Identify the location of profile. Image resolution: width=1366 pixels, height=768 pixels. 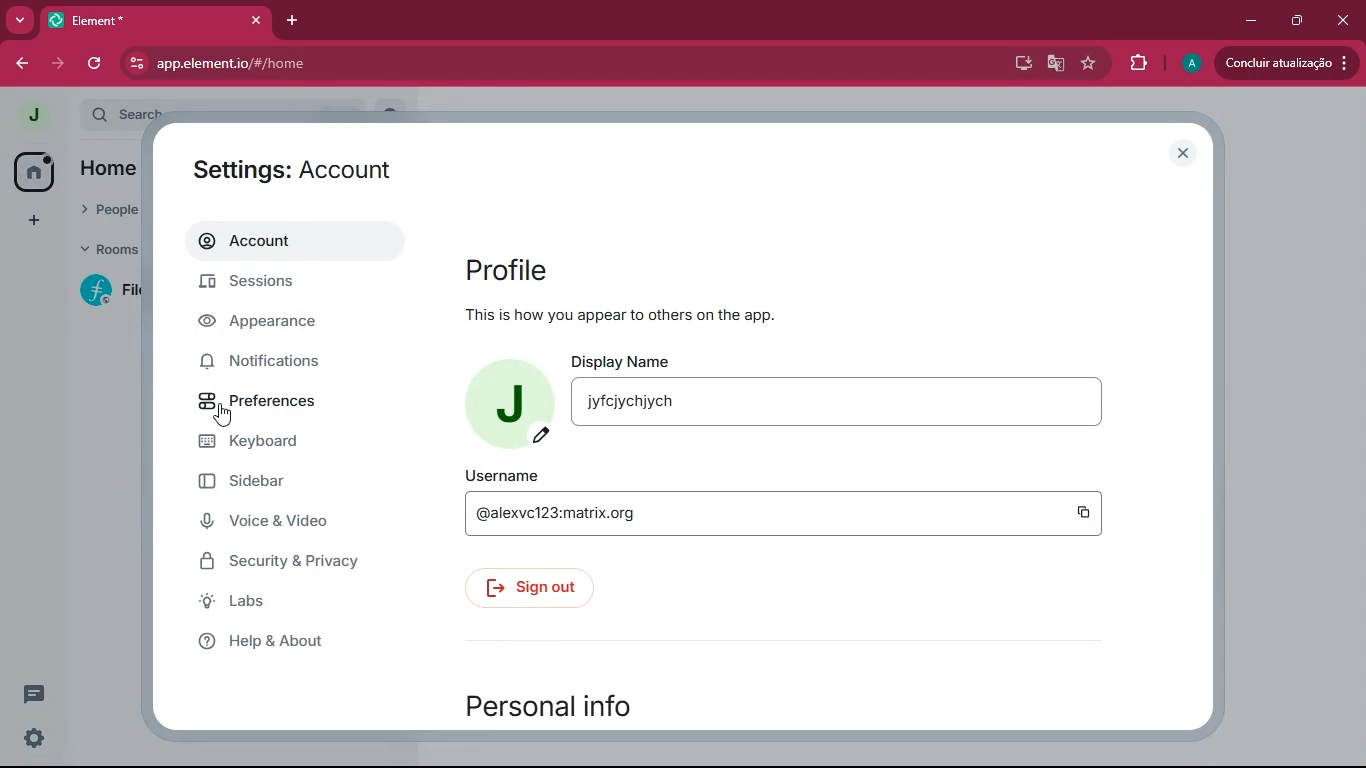
(508, 269).